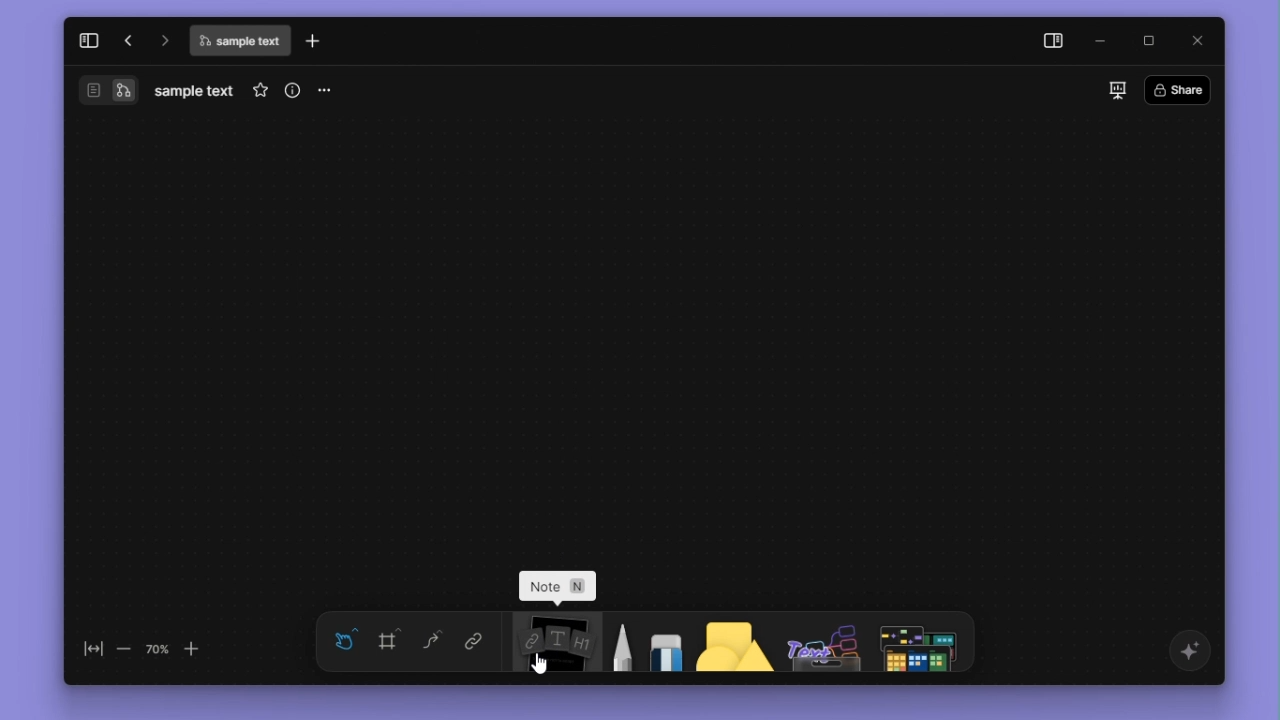 Image resolution: width=1280 pixels, height=720 pixels. Describe the element at coordinates (124, 650) in the screenshot. I see `zoom out` at that location.